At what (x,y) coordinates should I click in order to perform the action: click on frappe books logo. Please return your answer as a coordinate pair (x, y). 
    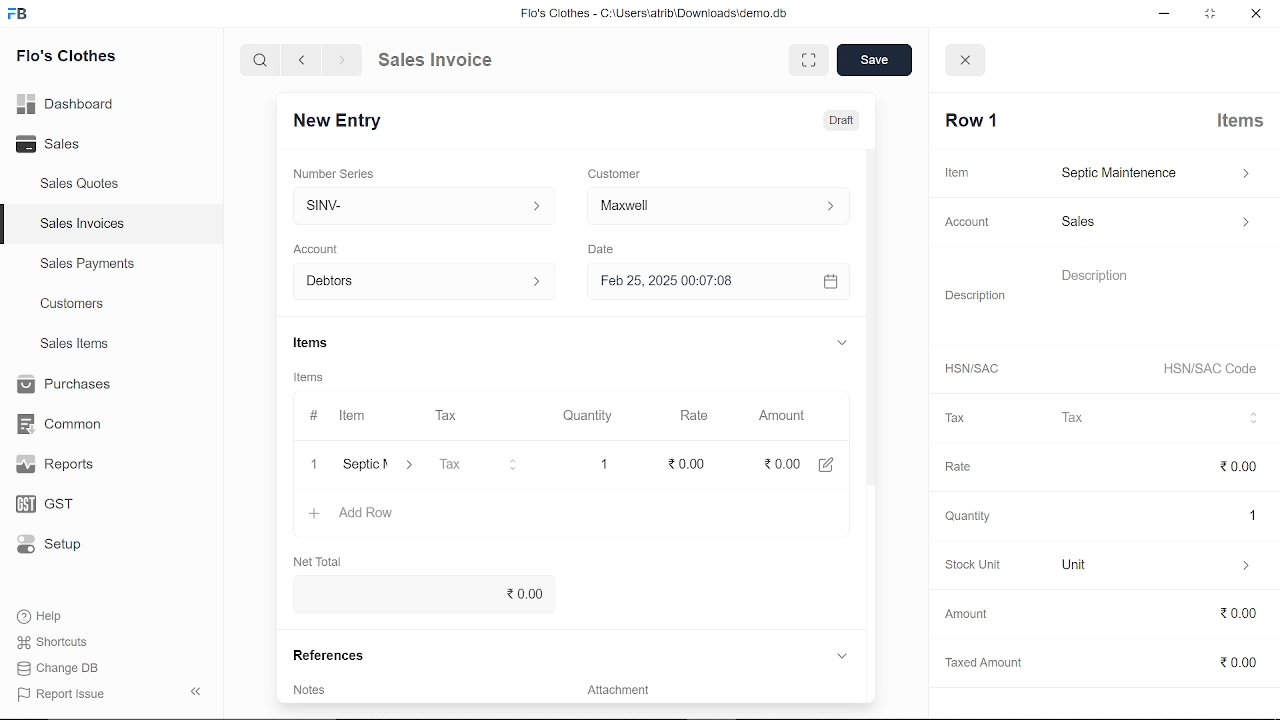
    Looking at the image, I should click on (20, 17).